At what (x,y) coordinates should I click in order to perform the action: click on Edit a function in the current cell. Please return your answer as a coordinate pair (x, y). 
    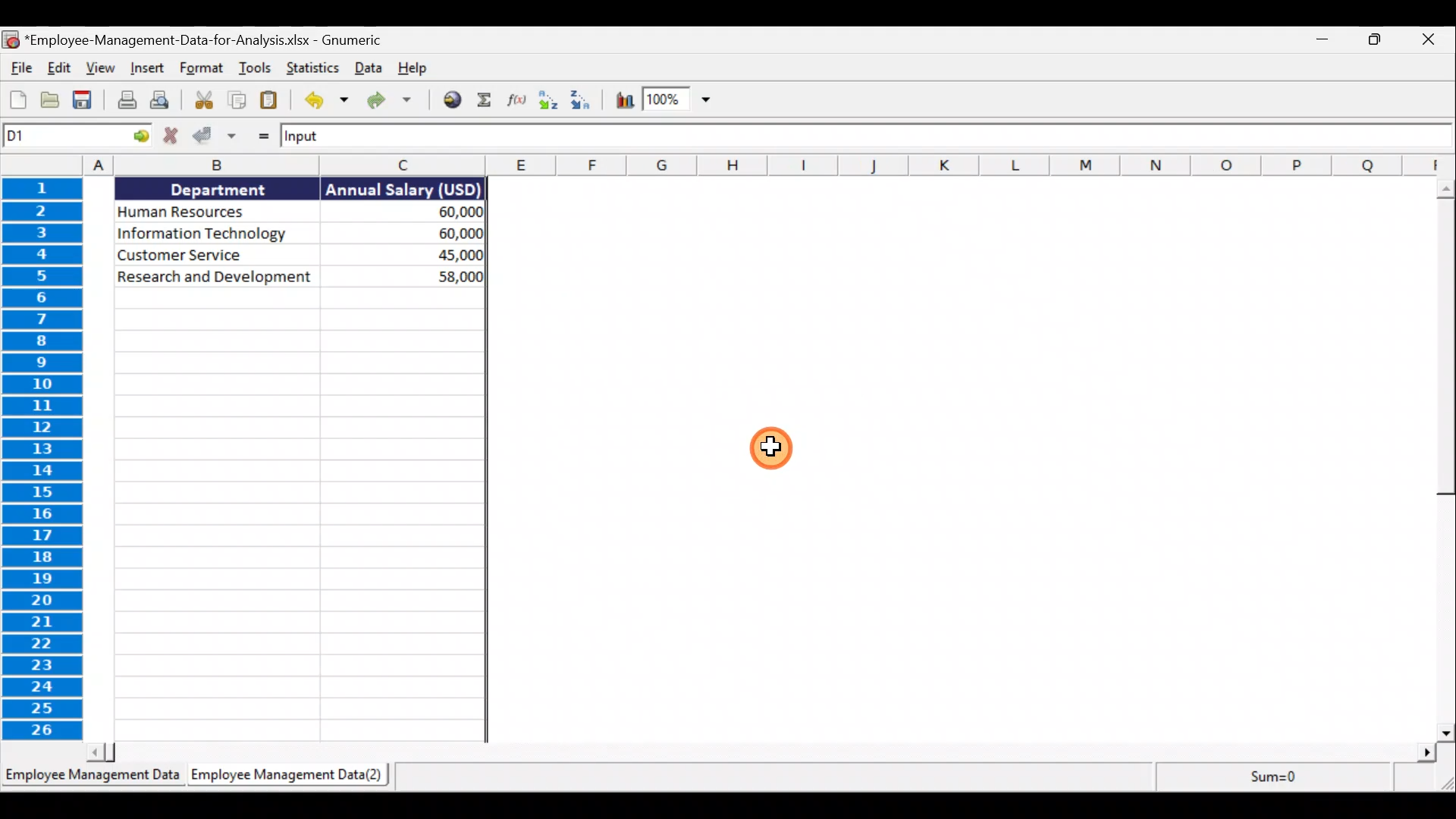
    Looking at the image, I should click on (516, 102).